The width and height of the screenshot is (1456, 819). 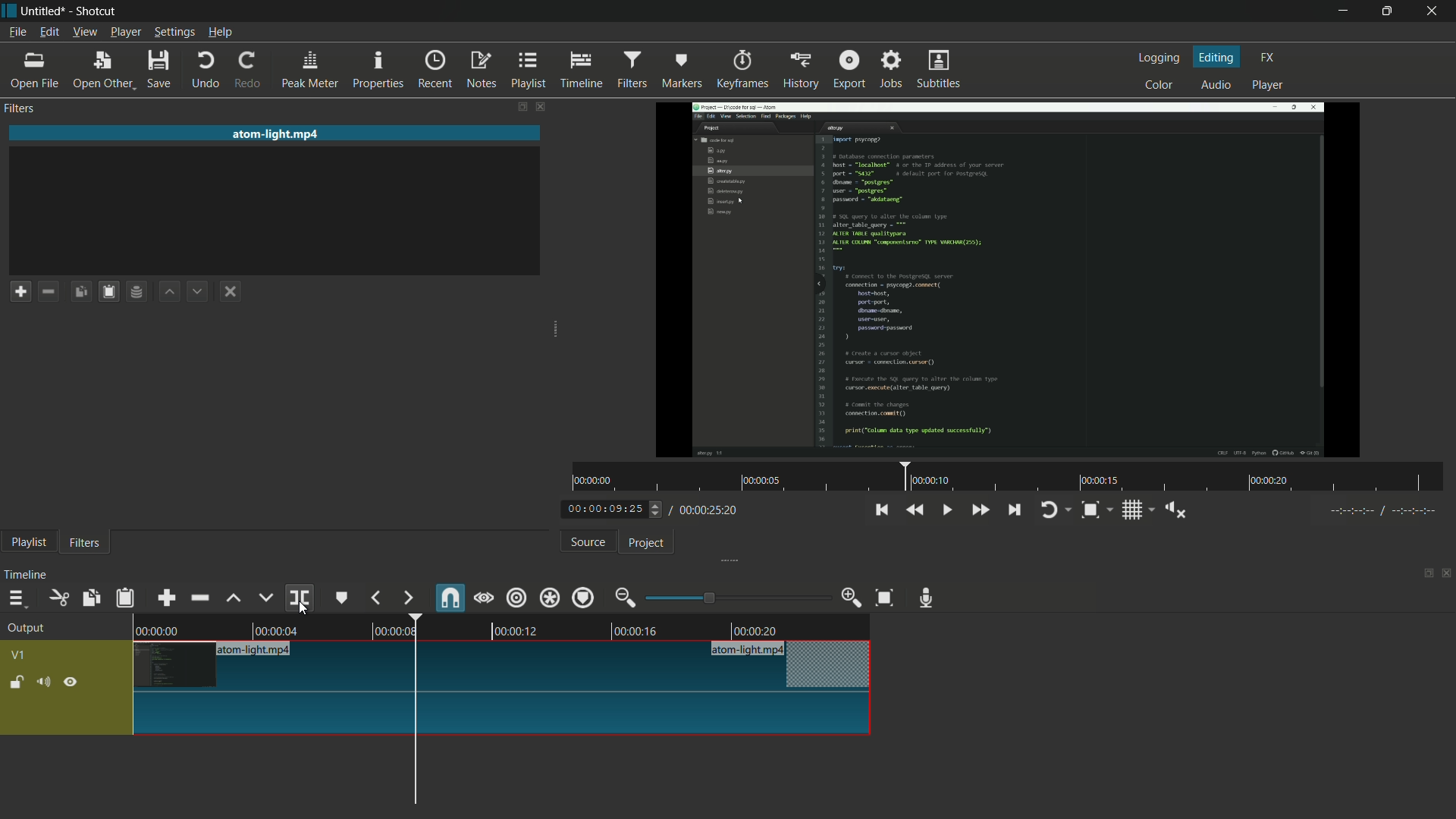 I want to click on cursor, so click(x=303, y=608).